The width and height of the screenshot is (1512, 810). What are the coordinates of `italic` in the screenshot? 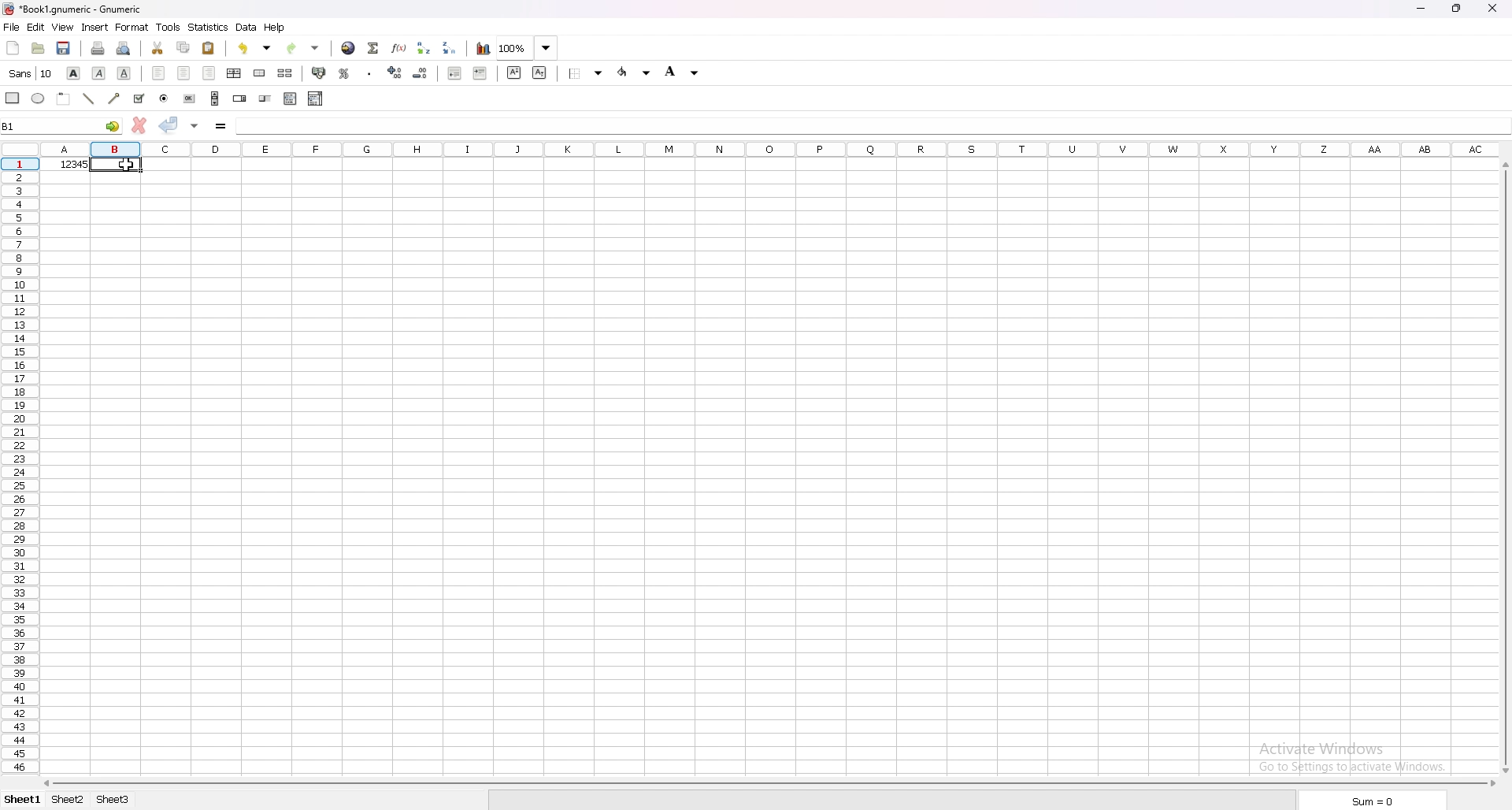 It's located at (98, 72).